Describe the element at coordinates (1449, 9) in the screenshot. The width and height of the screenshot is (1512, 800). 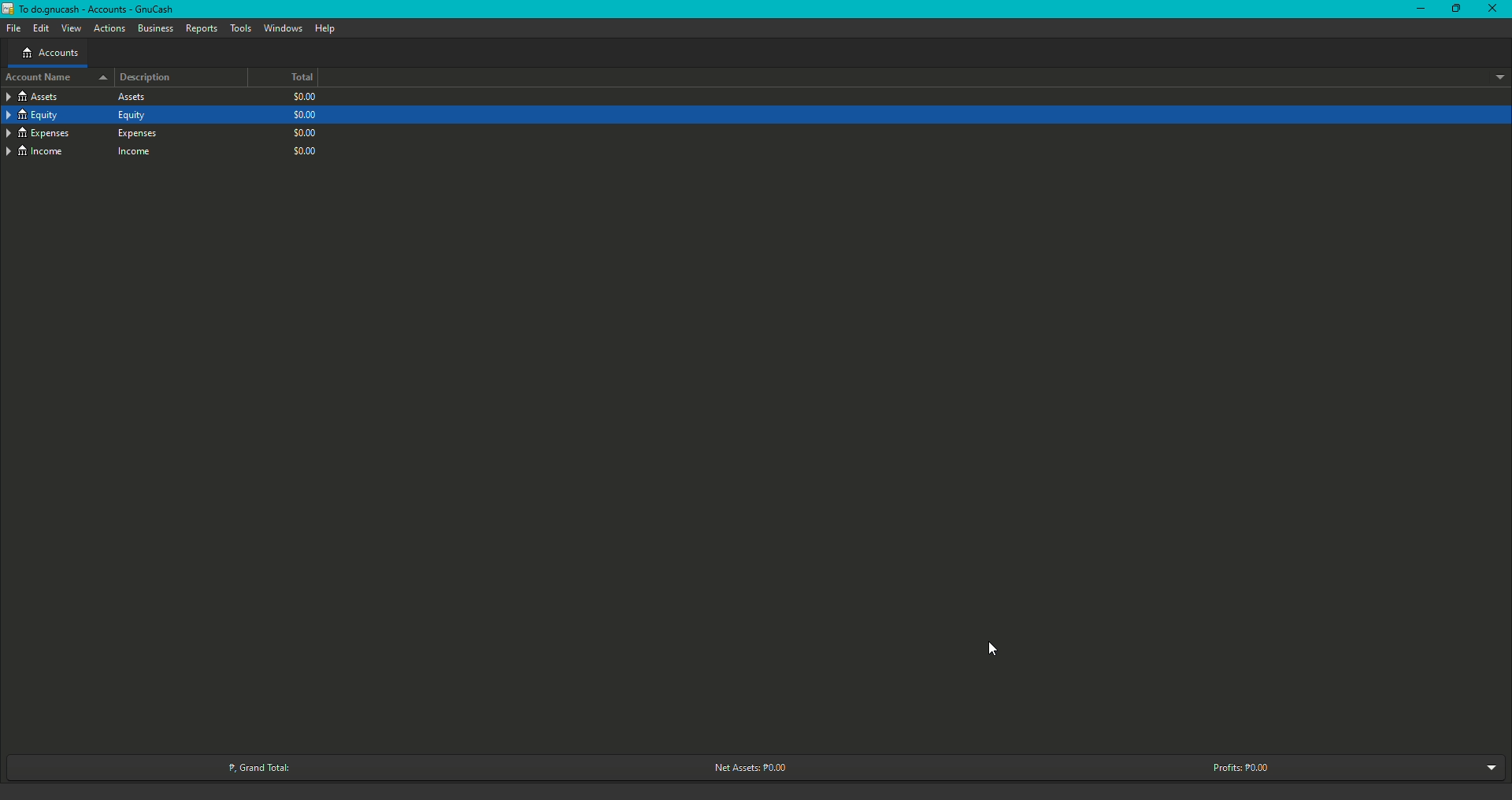
I see `Restore` at that location.